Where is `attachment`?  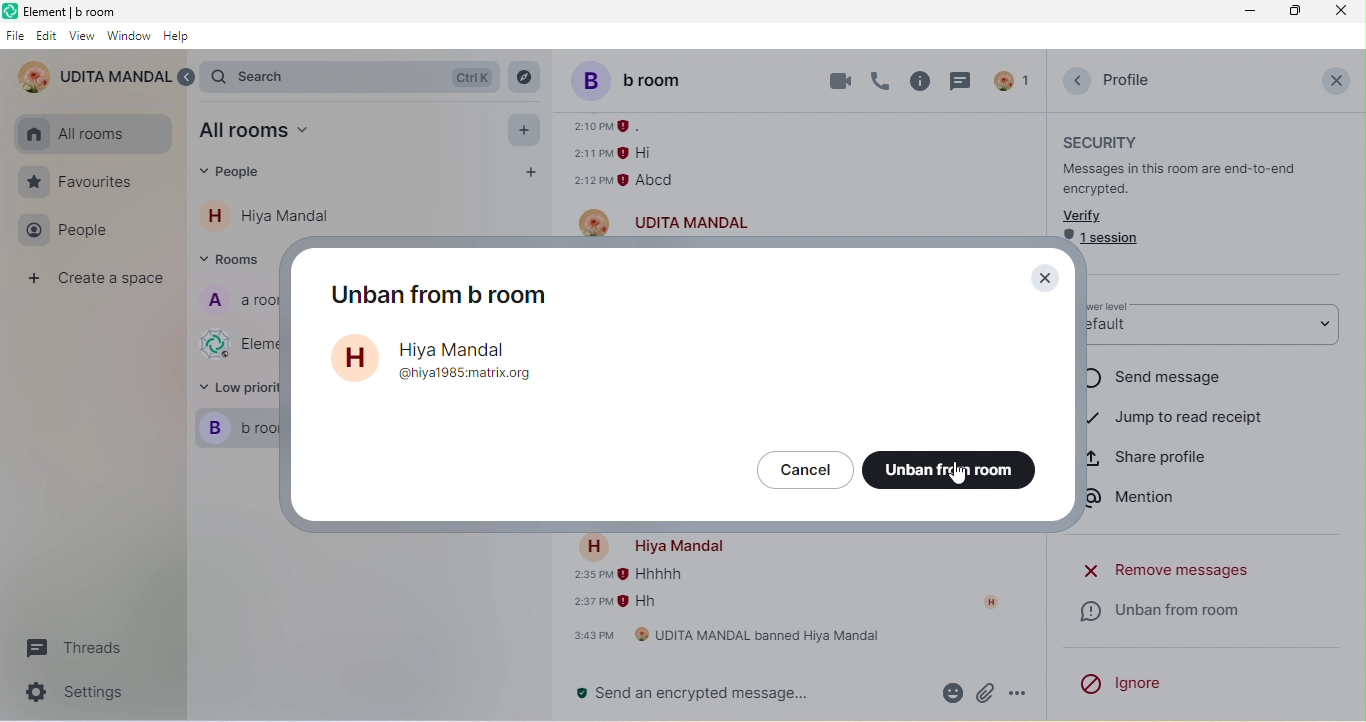
attachment is located at coordinates (984, 693).